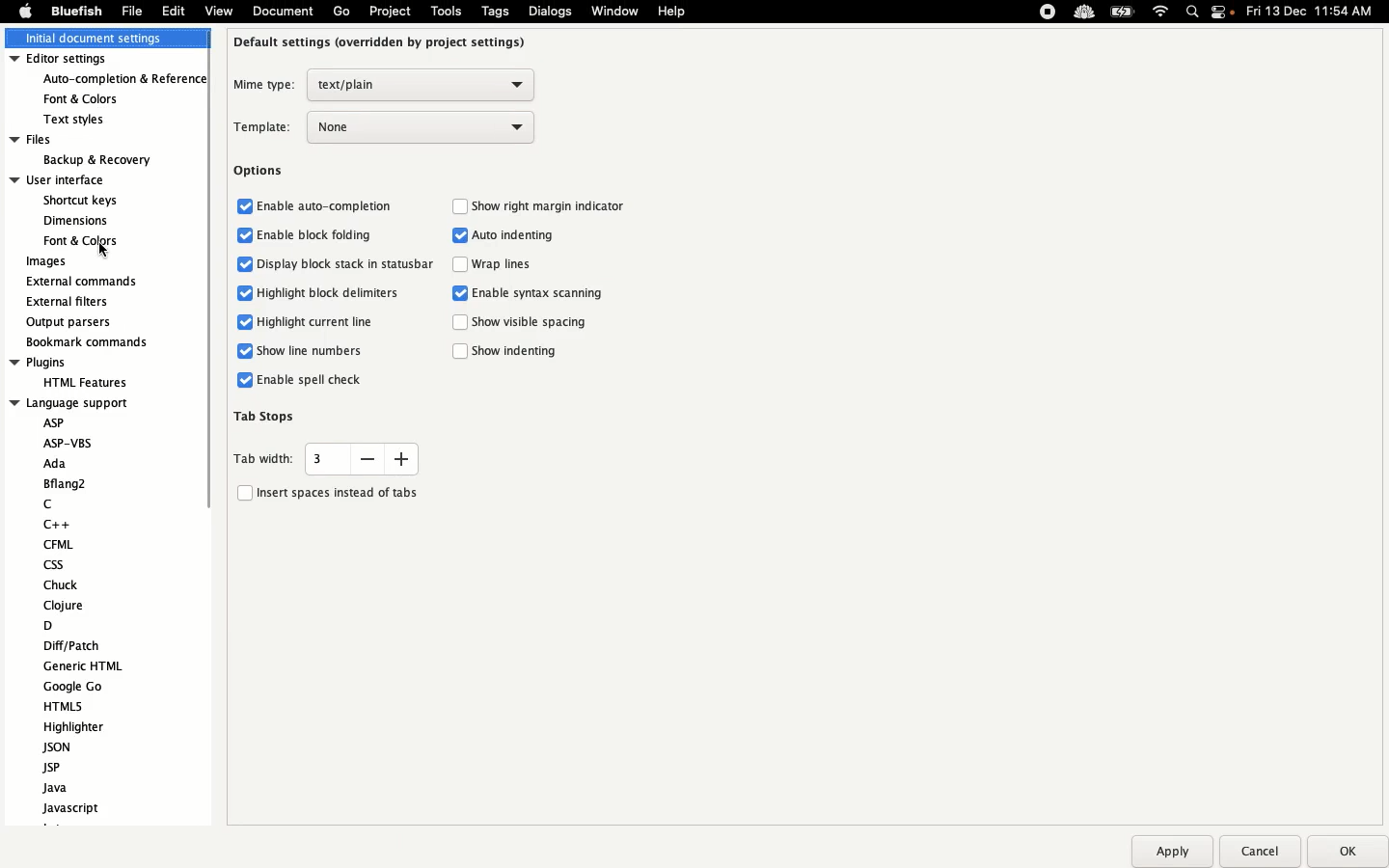 Image resolution: width=1389 pixels, height=868 pixels. I want to click on Window, so click(616, 13).